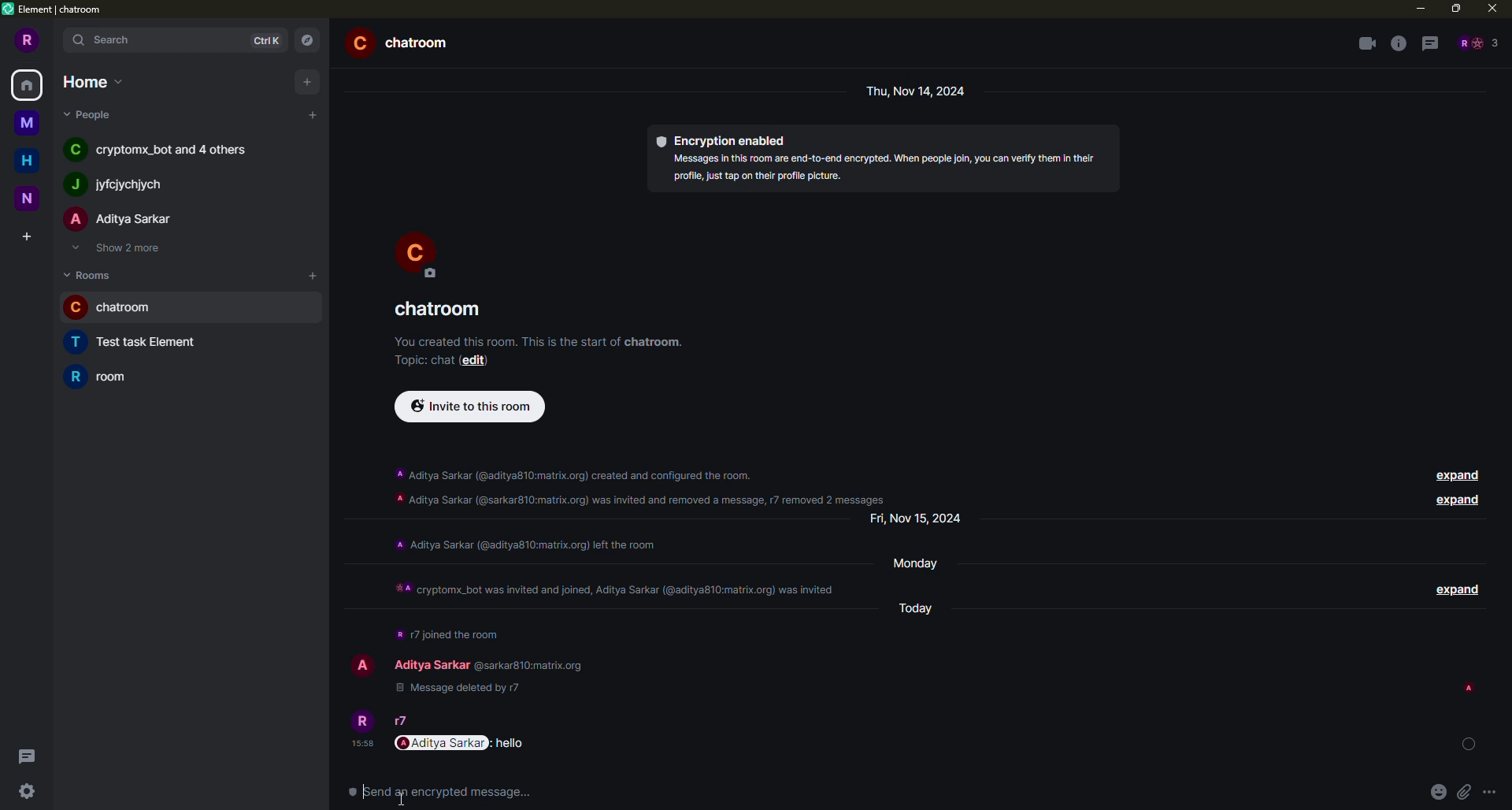 This screenshot has height=810, width=1512. Describe the element at coordinates (28, 39) in the screenshot. I see `profile` at that location.